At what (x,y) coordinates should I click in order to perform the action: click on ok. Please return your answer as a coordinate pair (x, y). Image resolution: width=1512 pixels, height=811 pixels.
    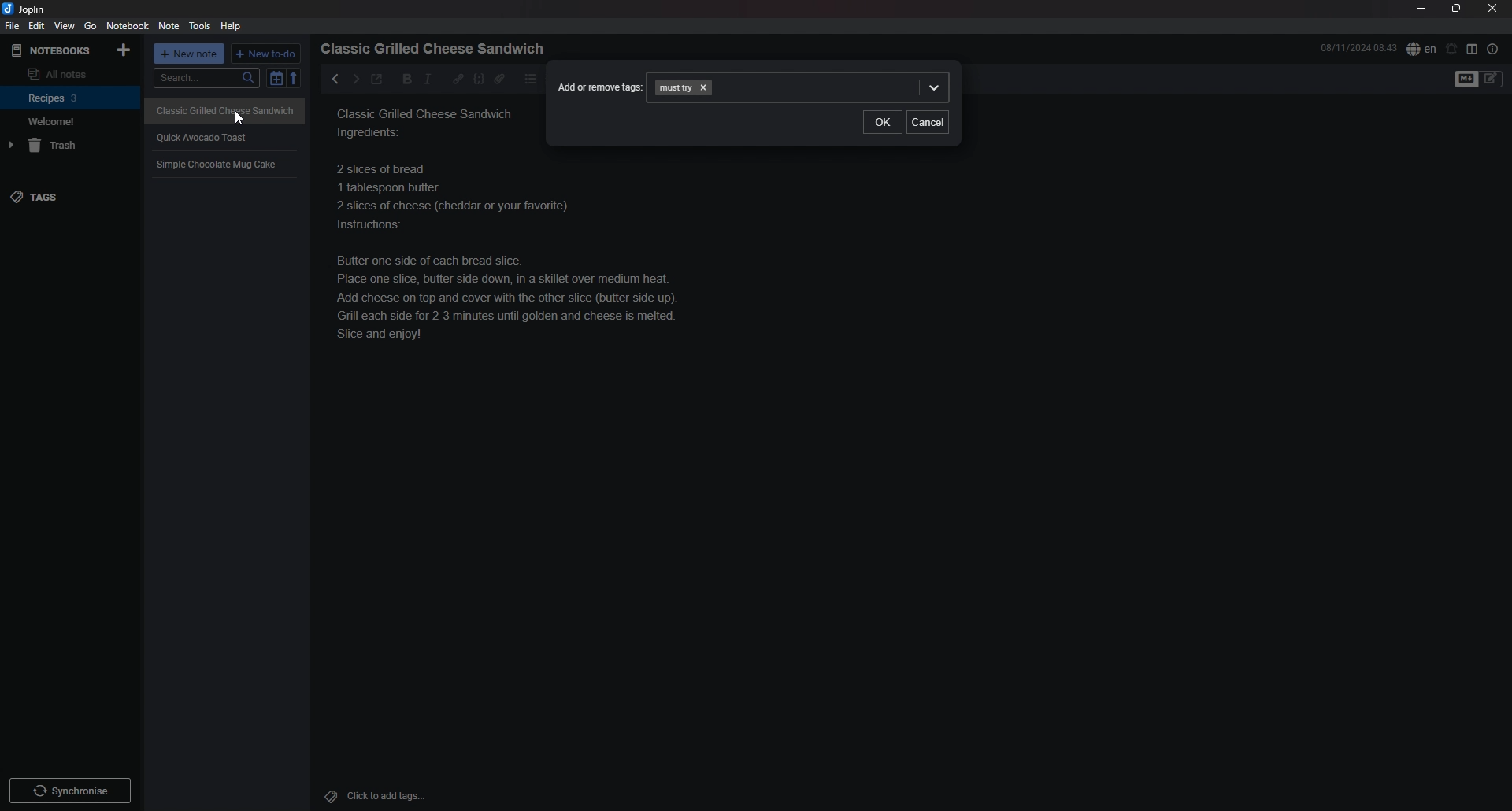
    Looking at the image, I should click on (881, 123).